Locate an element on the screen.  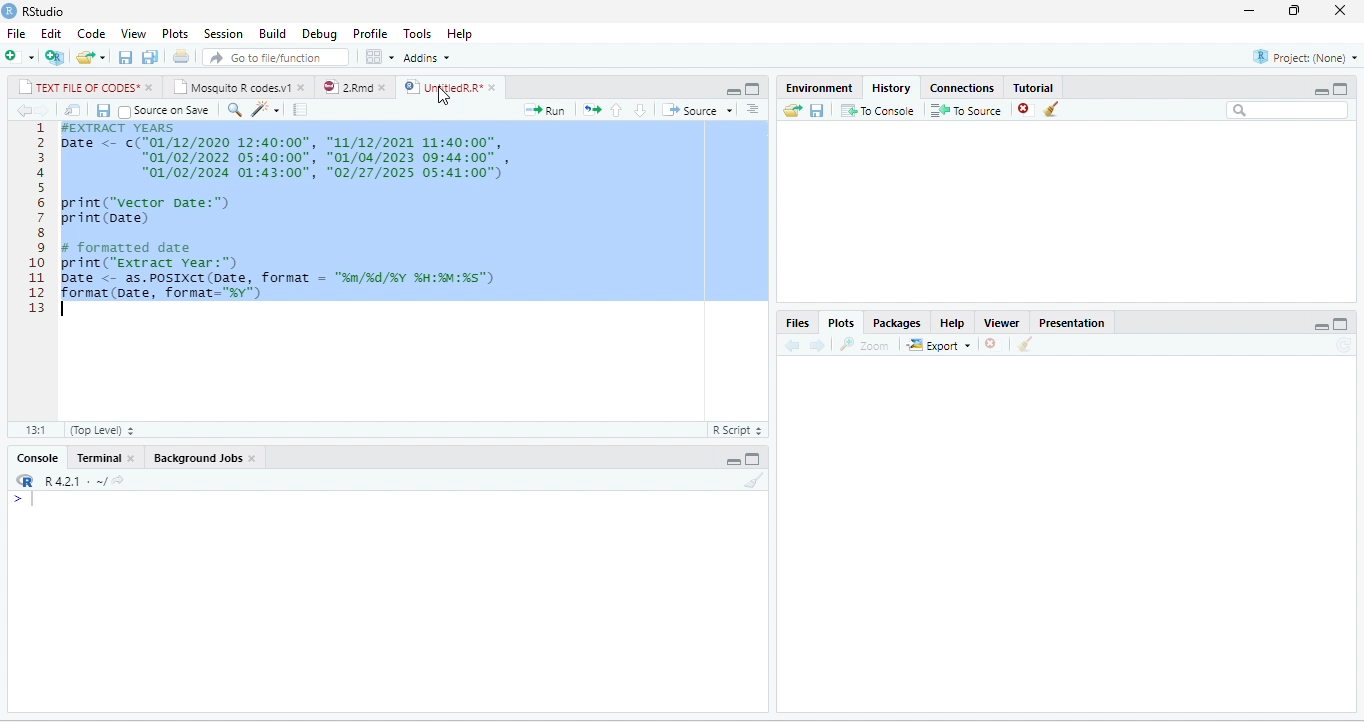
RStudio is located at coordinates (46, 12).